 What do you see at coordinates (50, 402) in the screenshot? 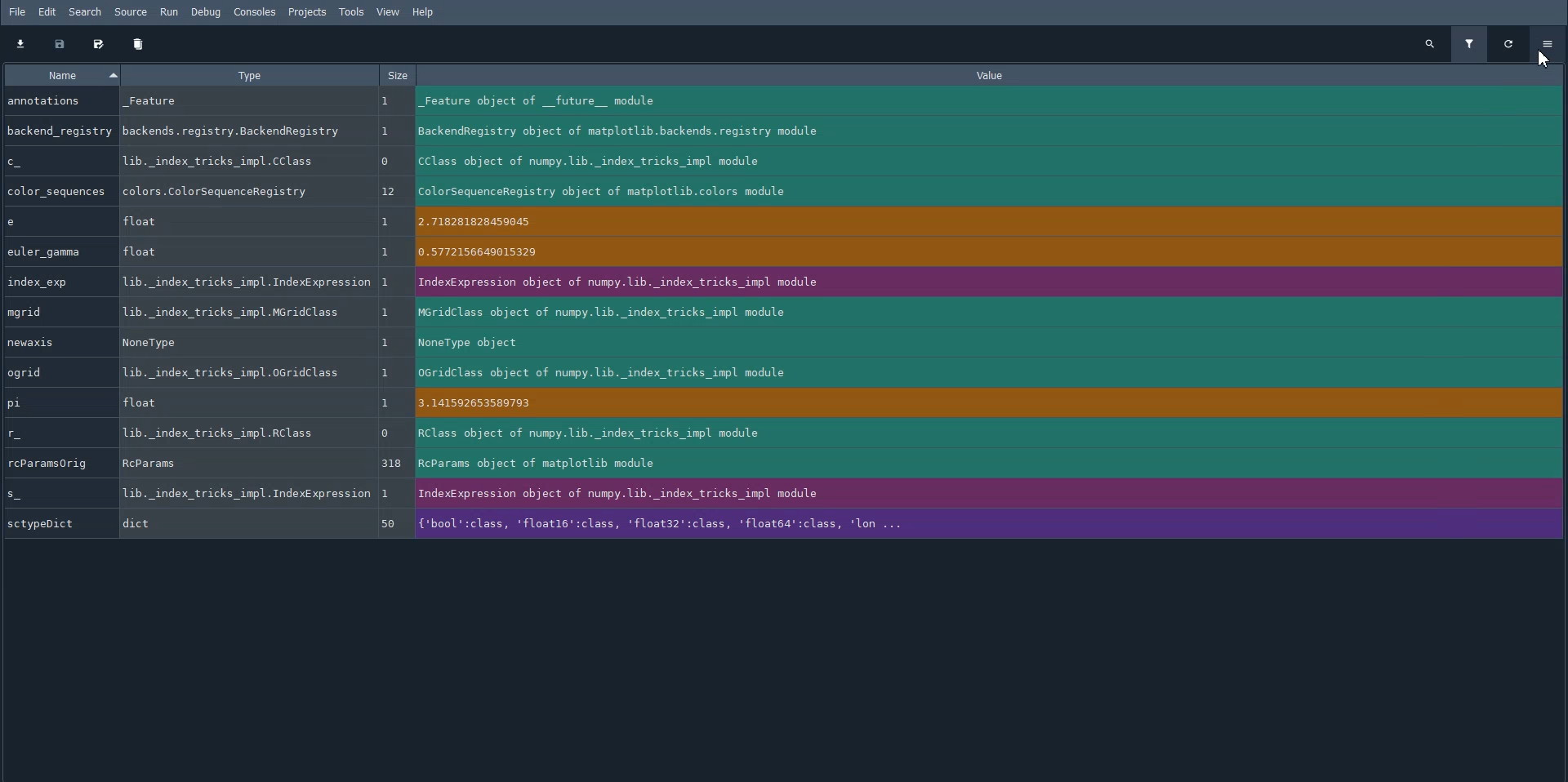
I see `pi` at bounding box center [50, 402].